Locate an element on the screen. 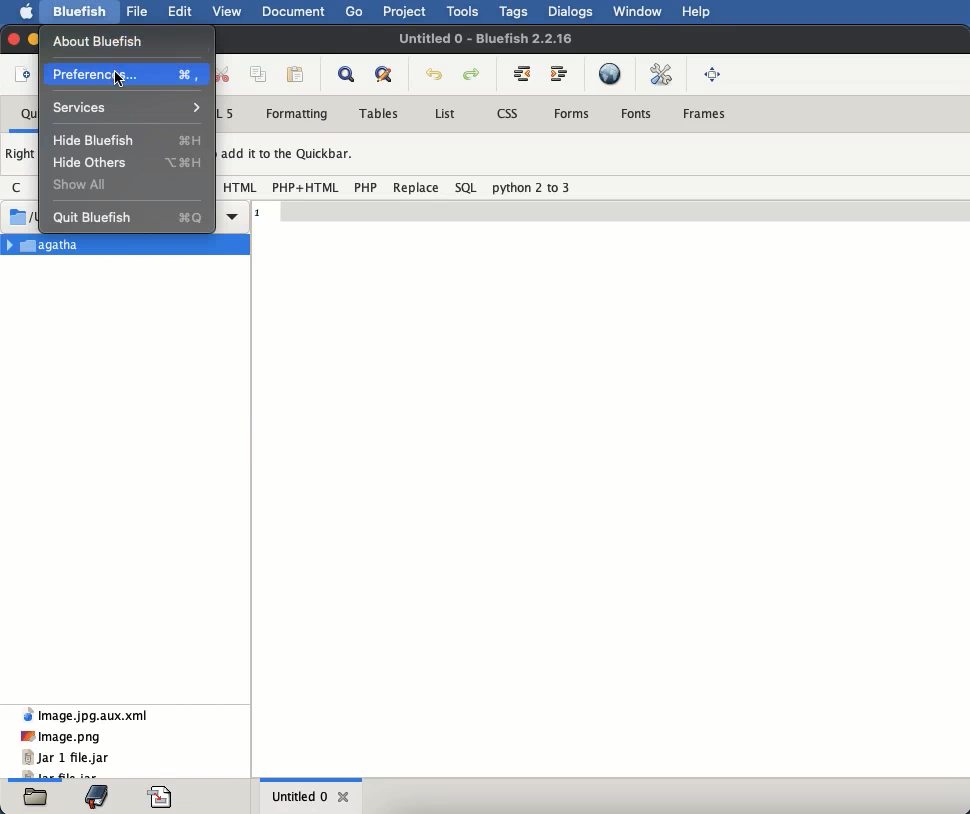 The image size is (970, 814). bookmark is located at coordinates (96, 796).